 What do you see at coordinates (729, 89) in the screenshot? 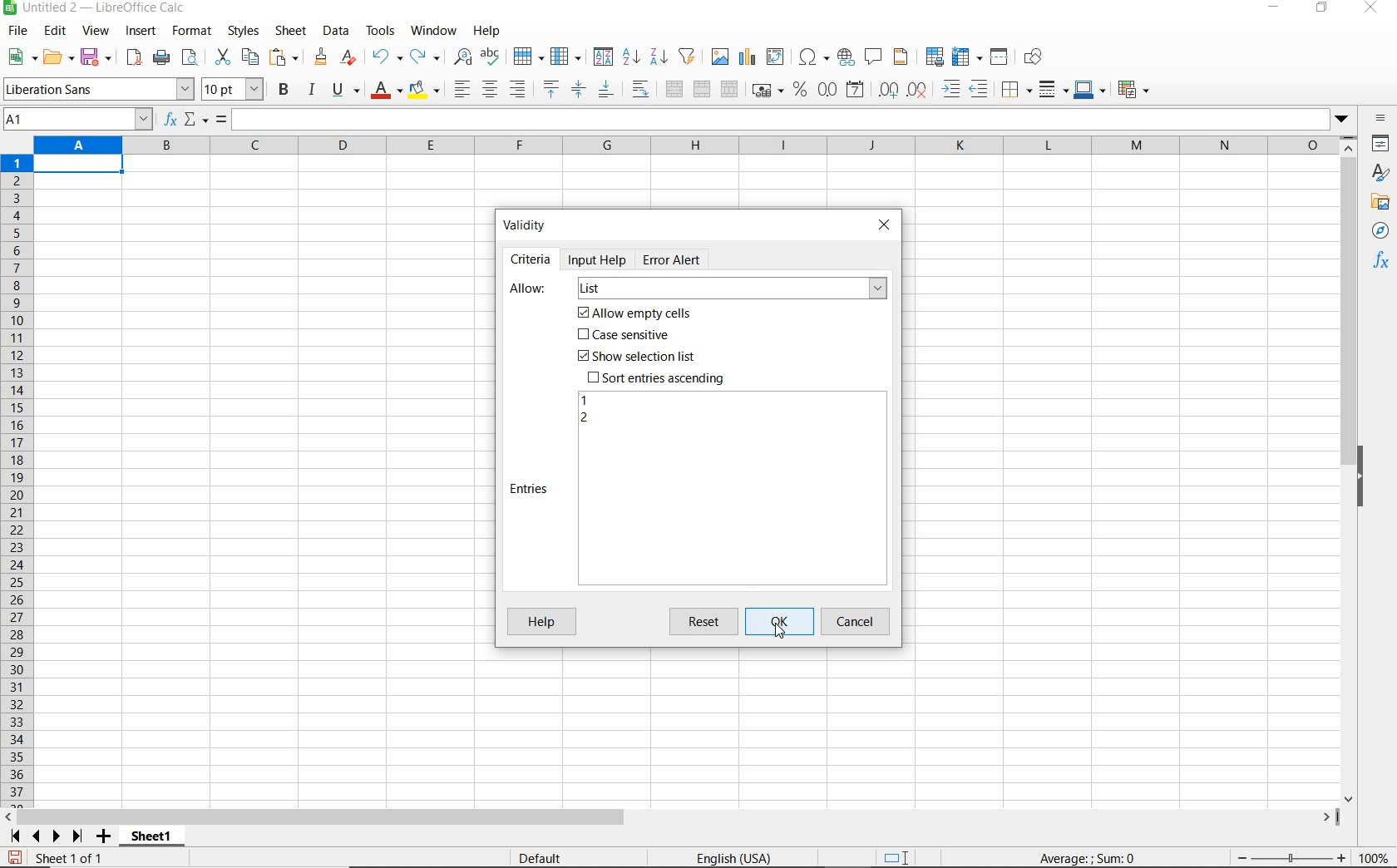
I see `unmerge cells` at bounding box center [729, 89].